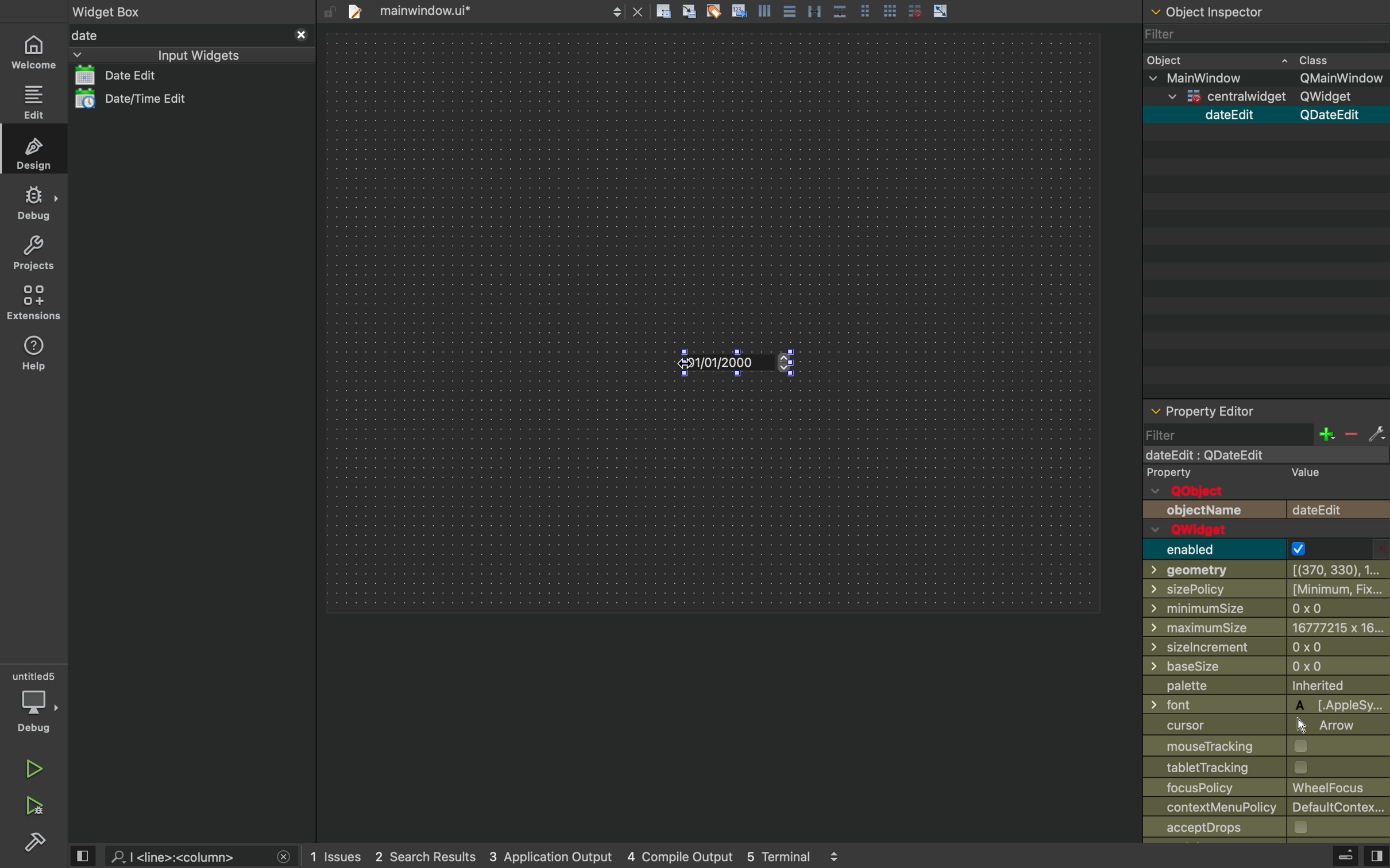 This screenshot has width=1390, height=868. Describe the element at coordinates (890, 10) in the screenshot. I see `grid view large` at that location.